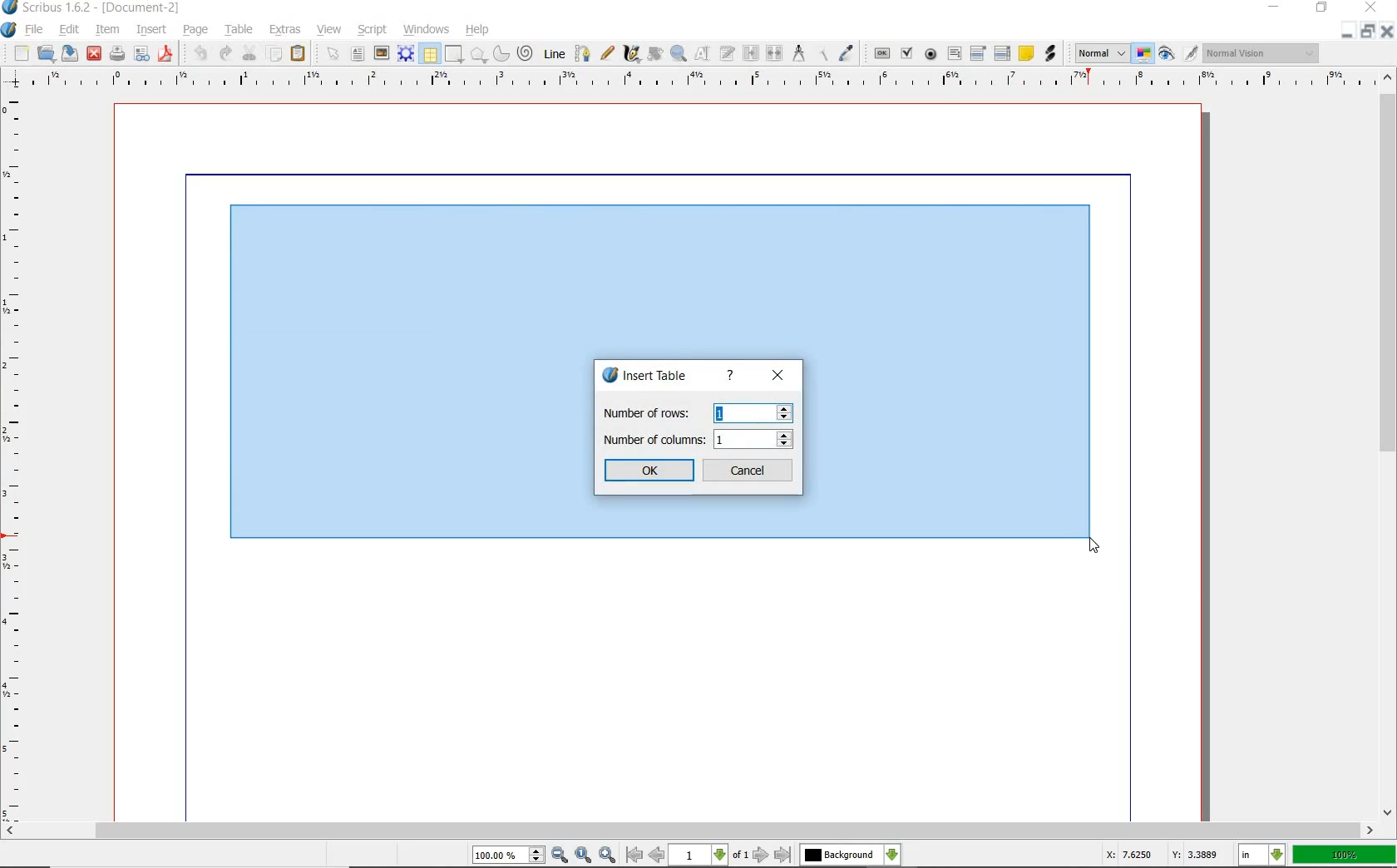 The width and height of the screenshot is (1397, 868). Describe the element at coordinates (46, 54) in the screenshot. I see `open` at that location.